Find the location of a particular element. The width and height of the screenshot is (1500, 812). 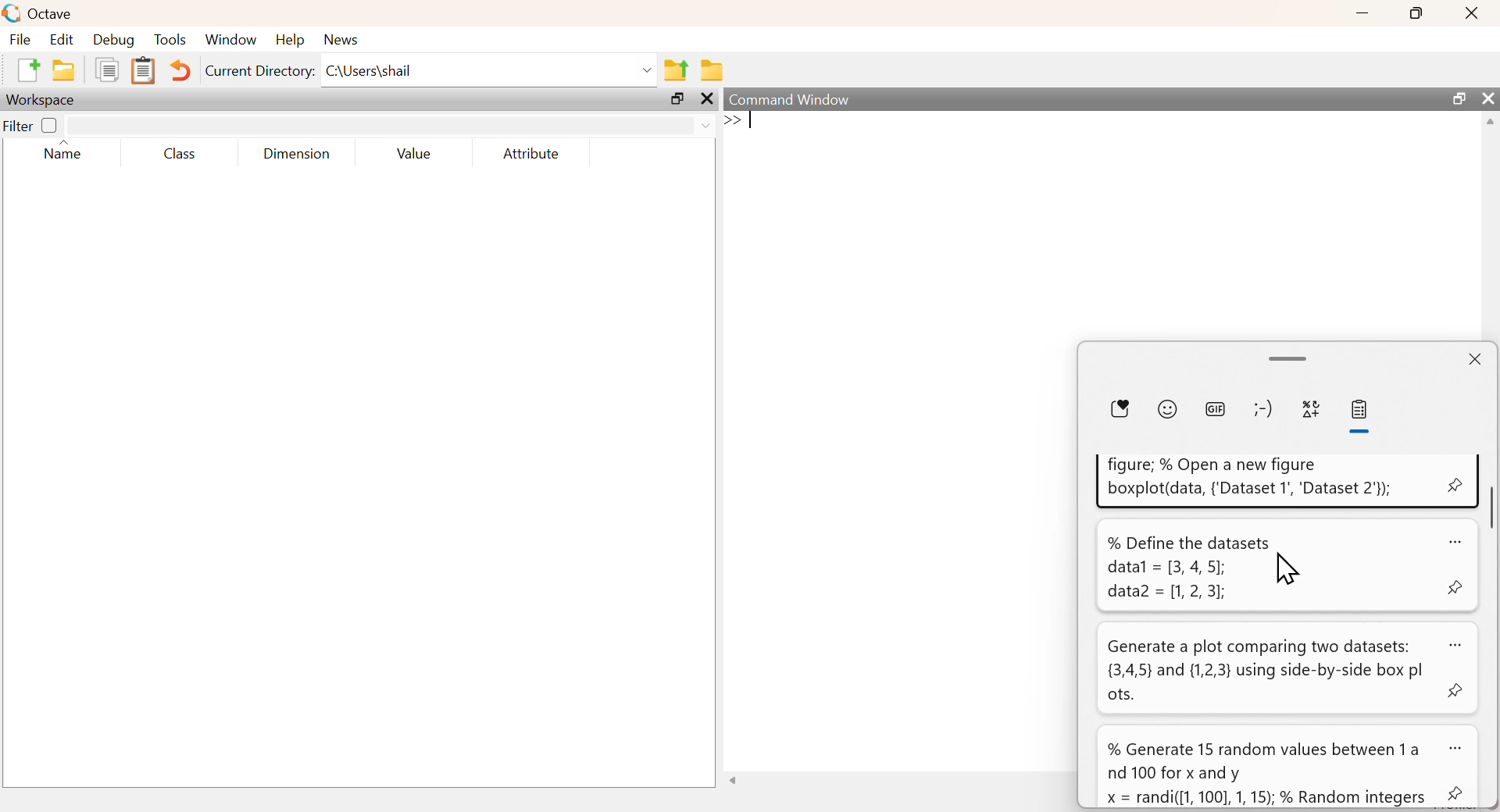

Dimension is located at coordinates (297, 154).